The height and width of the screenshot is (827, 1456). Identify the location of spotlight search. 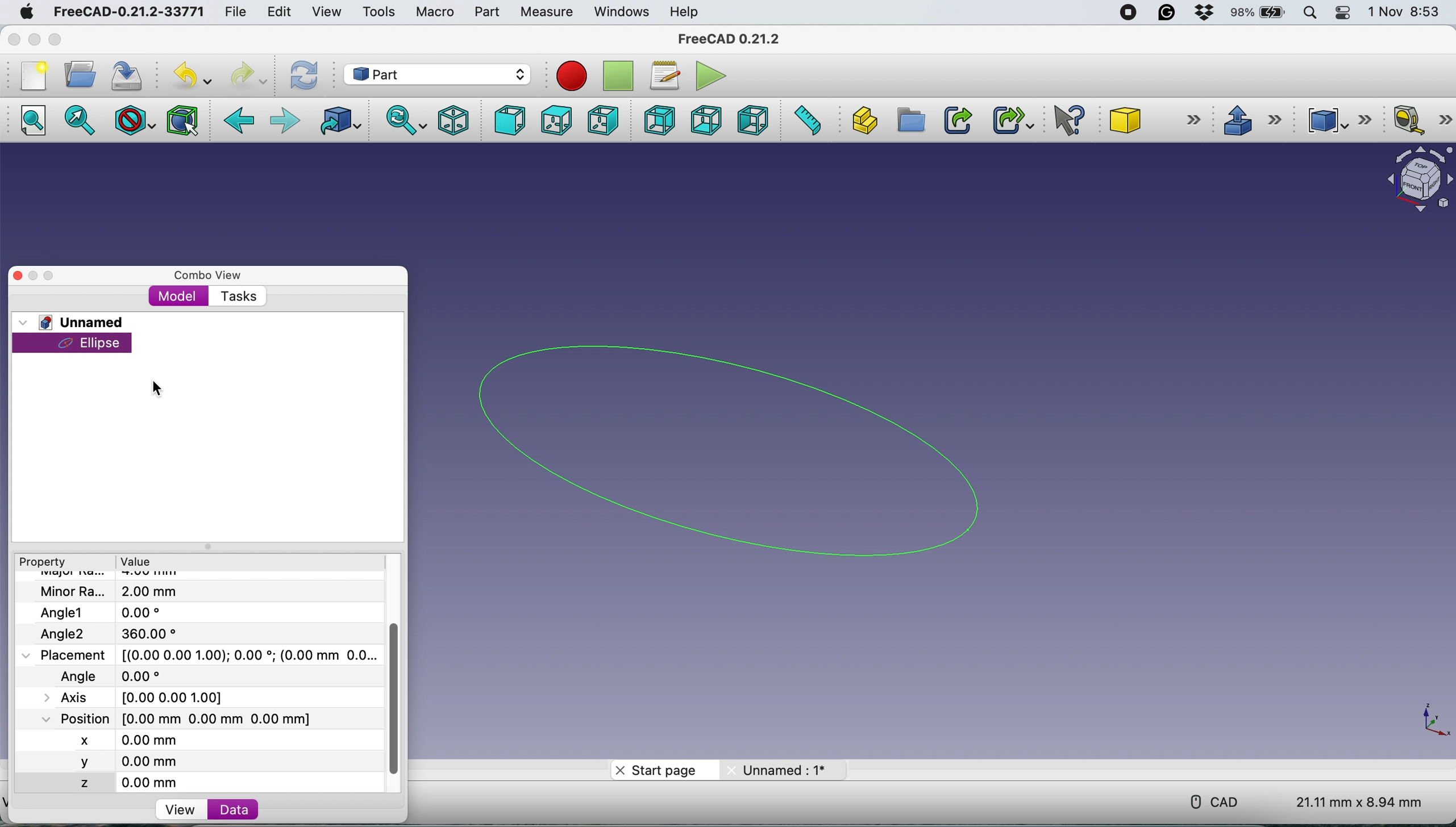
(1311, 14).